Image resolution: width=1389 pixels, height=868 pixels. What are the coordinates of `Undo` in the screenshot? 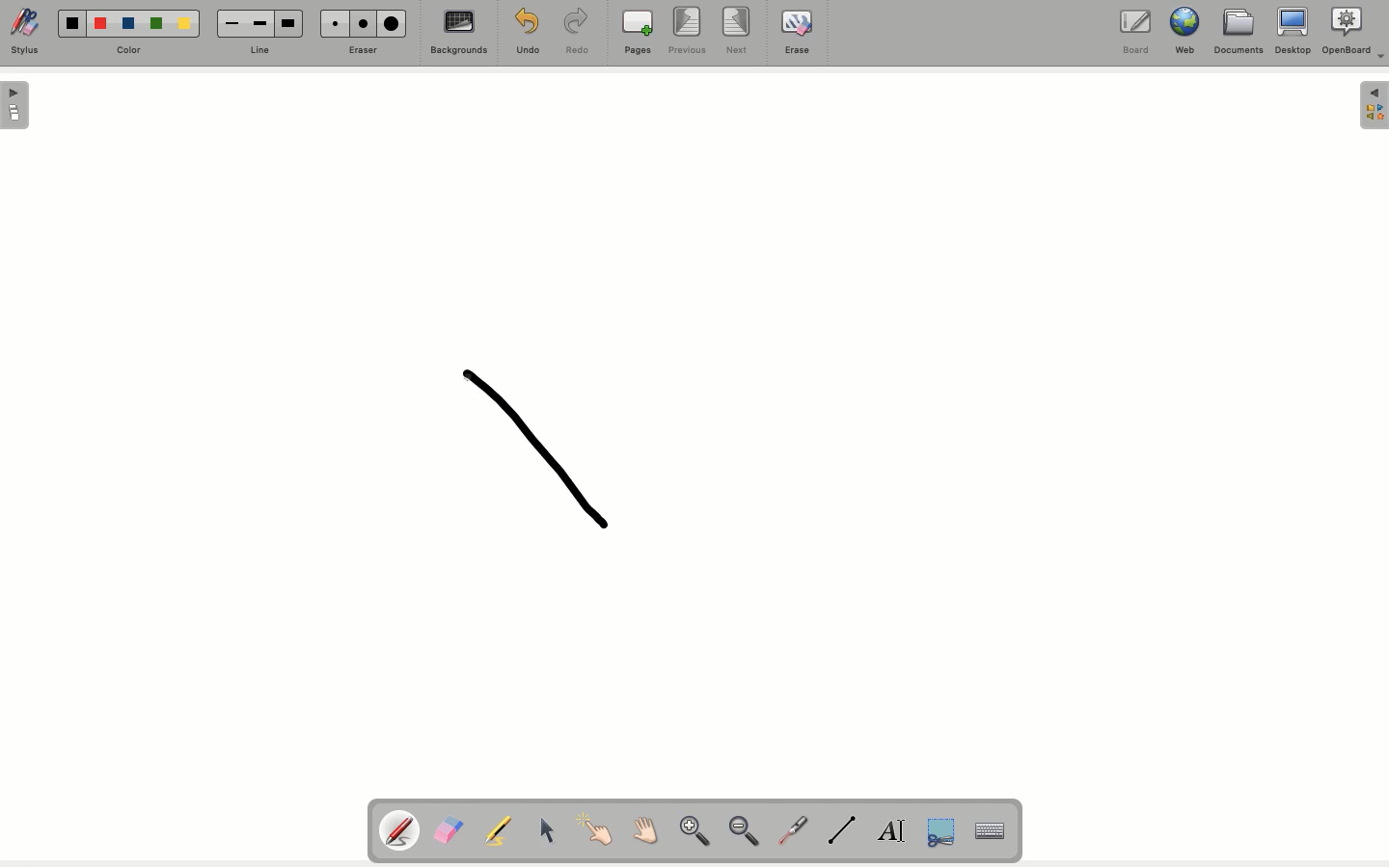 It's located at (526, 31).